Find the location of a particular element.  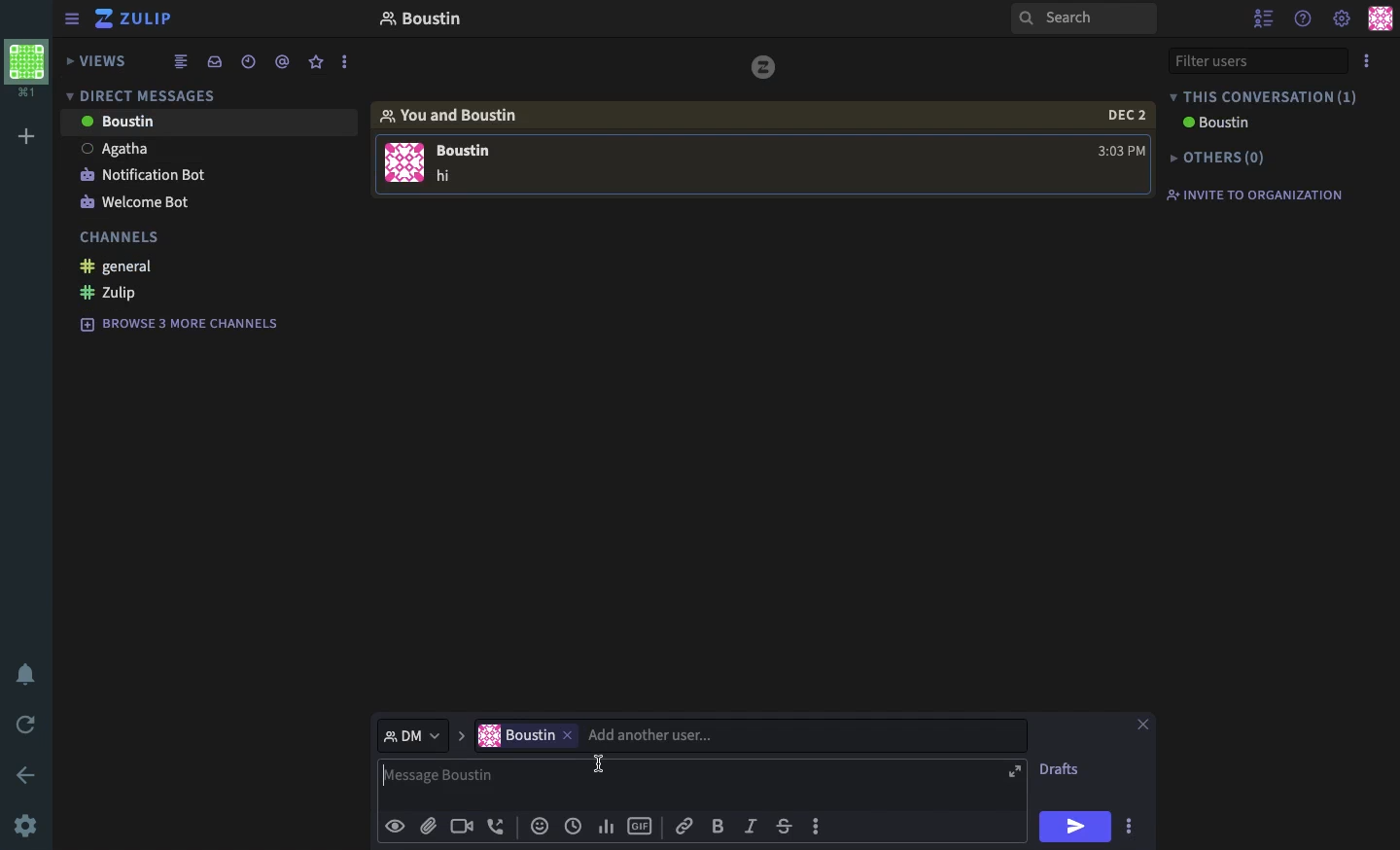

zulip is located at coordinates (134, 18).